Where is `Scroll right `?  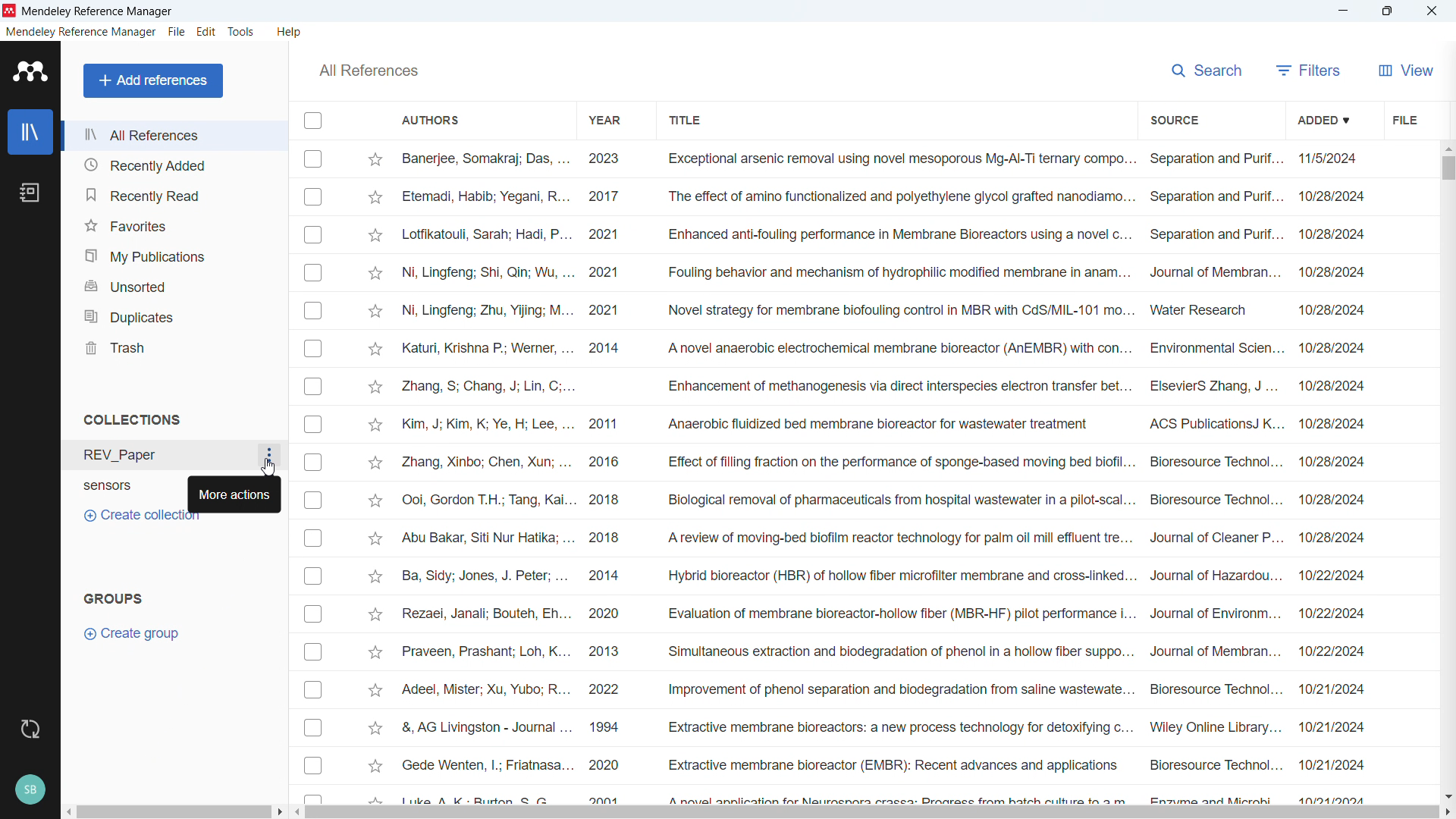
Scroll right  is located at coordinates (1447, 812).